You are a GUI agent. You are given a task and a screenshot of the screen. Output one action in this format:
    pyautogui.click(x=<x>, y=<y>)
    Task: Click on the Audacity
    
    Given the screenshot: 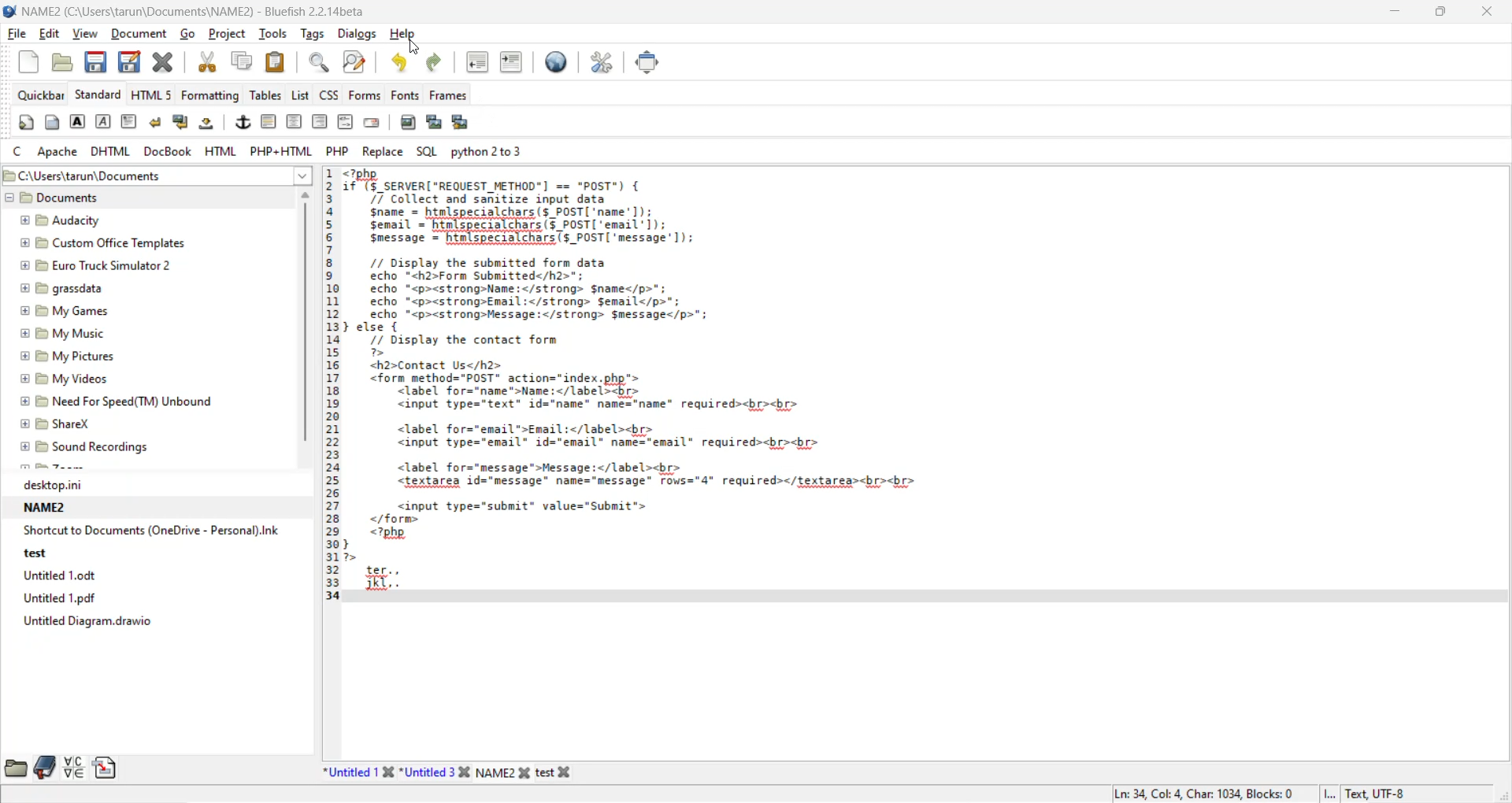 What is the action you would take?
    pyautogui.click(x=56, y=220)
    